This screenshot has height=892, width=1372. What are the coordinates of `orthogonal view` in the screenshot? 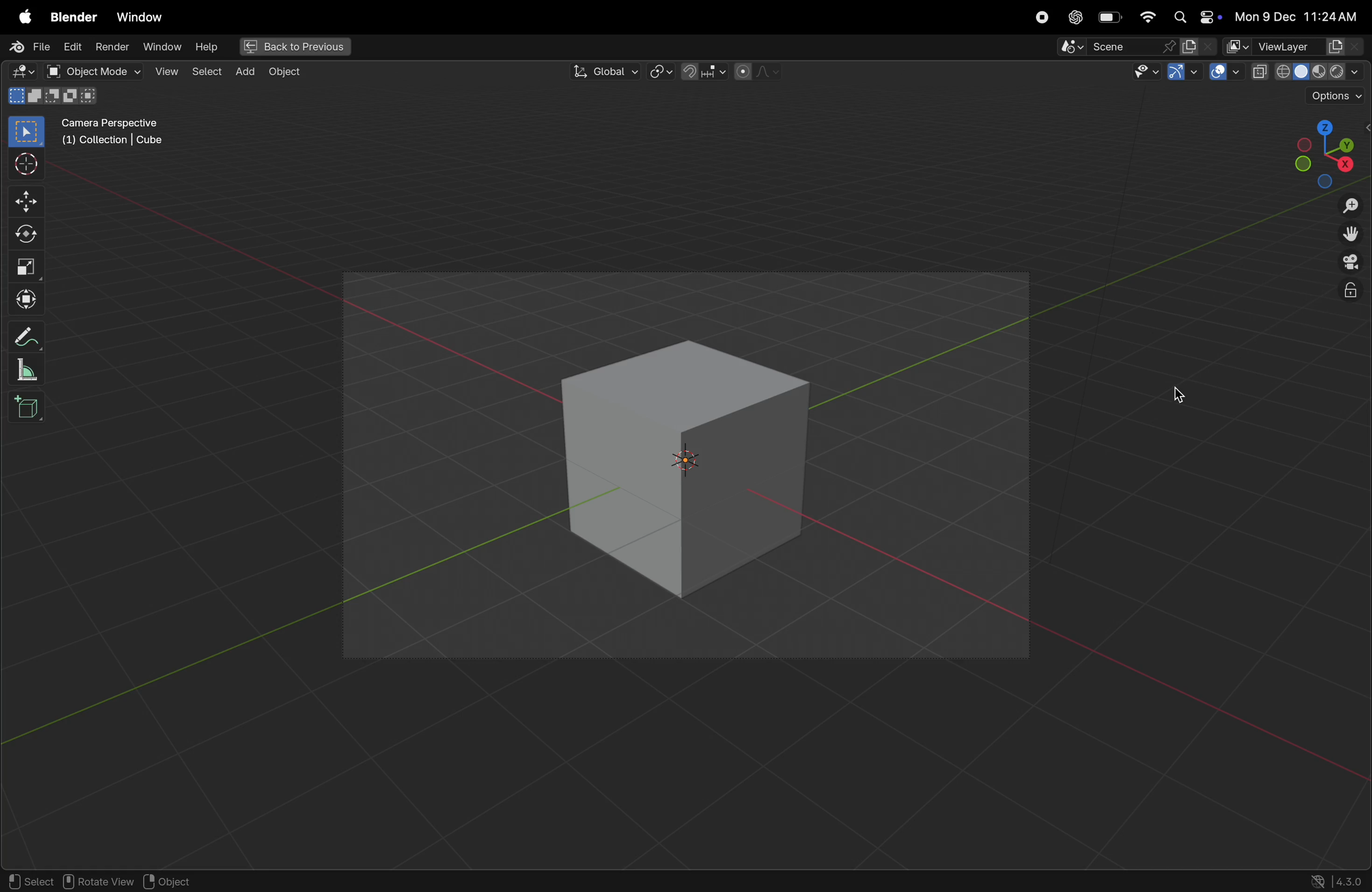 It's located at (1349, 293).